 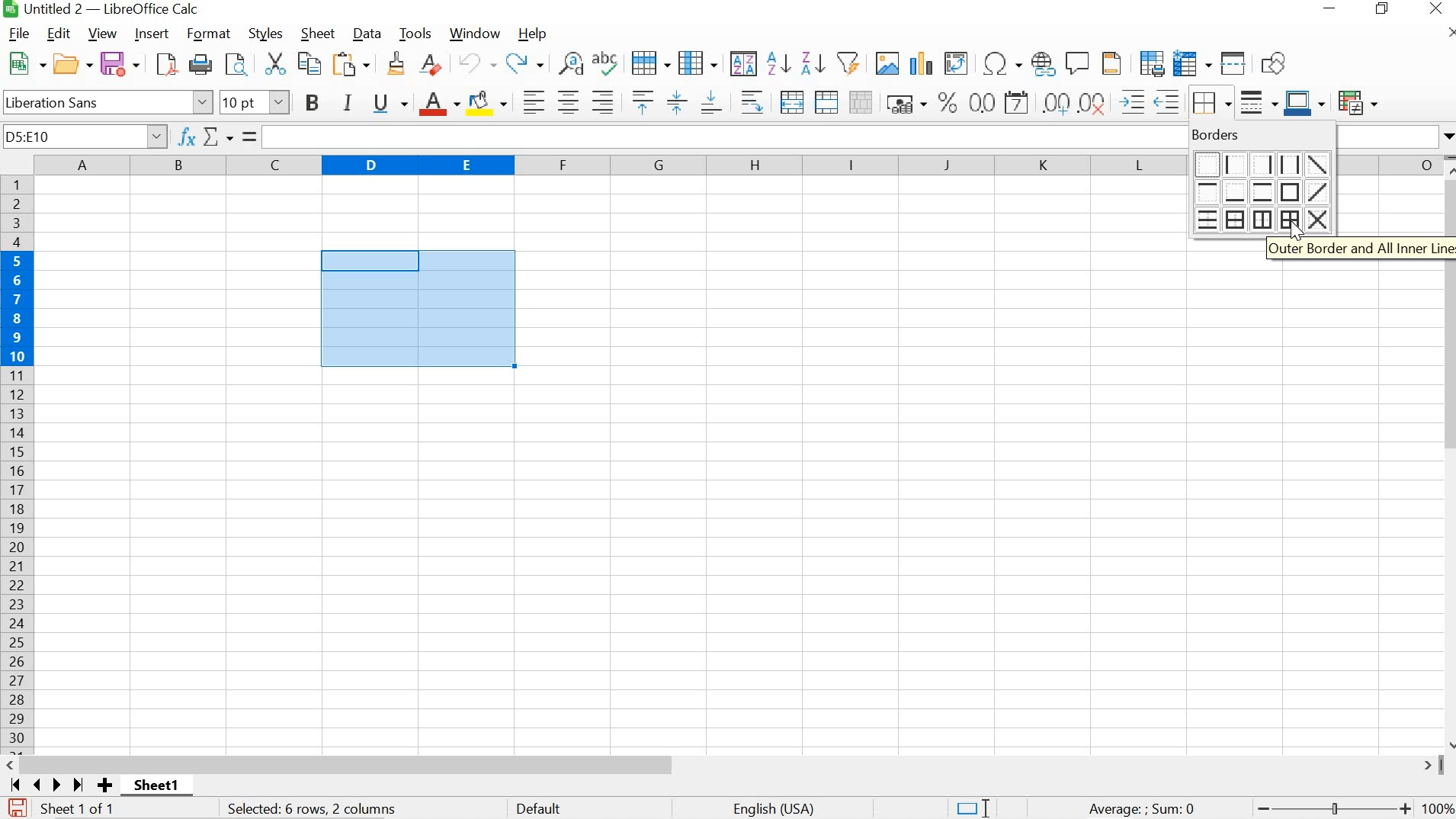 What do you see at coordinates (957, 62) in the screenshot?
I see `insert or edit pivot table` at bounding box center [957, 62].